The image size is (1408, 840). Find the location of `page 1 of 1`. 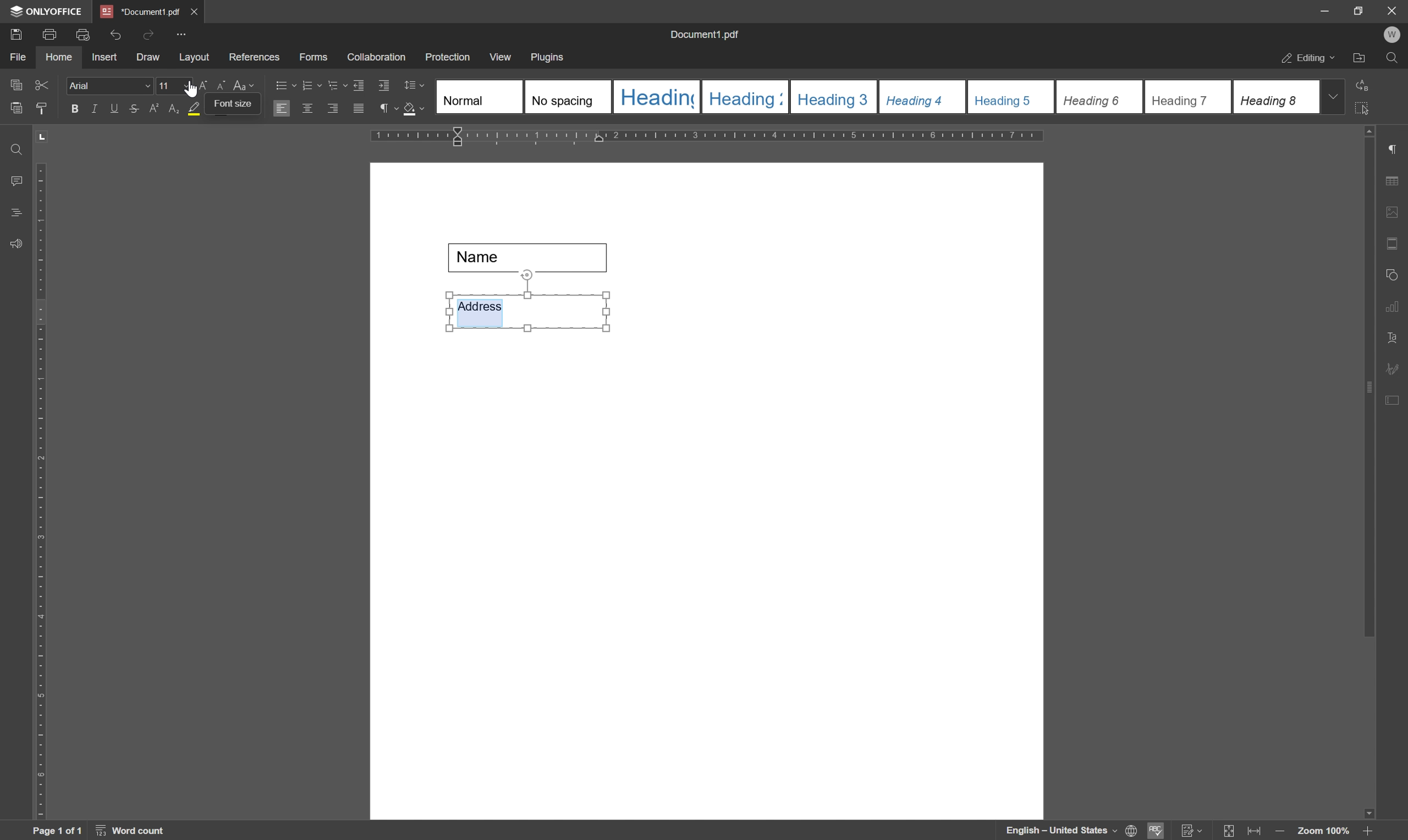

page 1 of 1 is located at coordinates (57, 831).